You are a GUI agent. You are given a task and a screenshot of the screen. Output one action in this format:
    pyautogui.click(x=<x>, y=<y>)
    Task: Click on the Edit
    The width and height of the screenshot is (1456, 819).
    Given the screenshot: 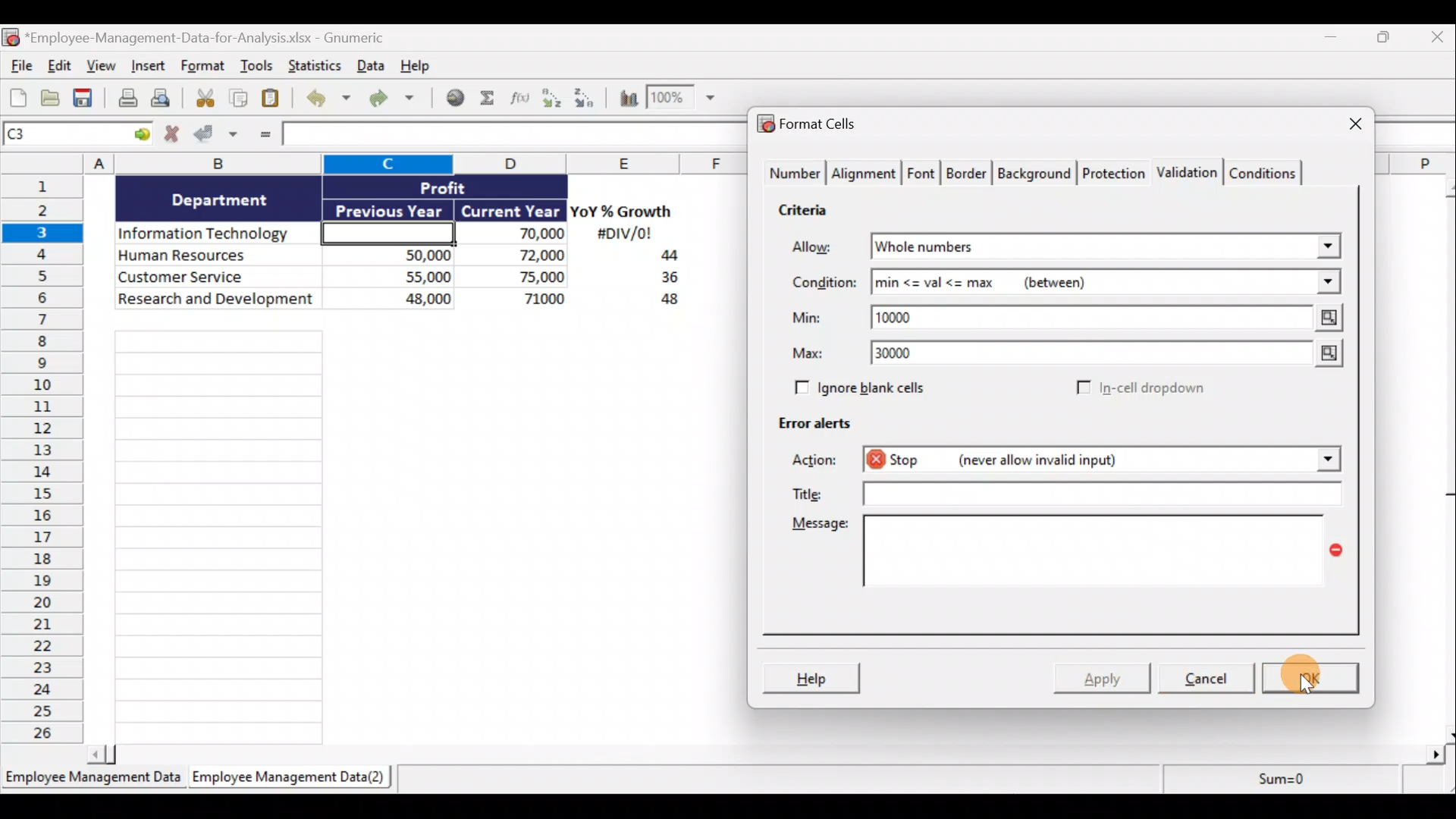 What is the action you would take?
    pyautogui.click(x=58, y=67)
    